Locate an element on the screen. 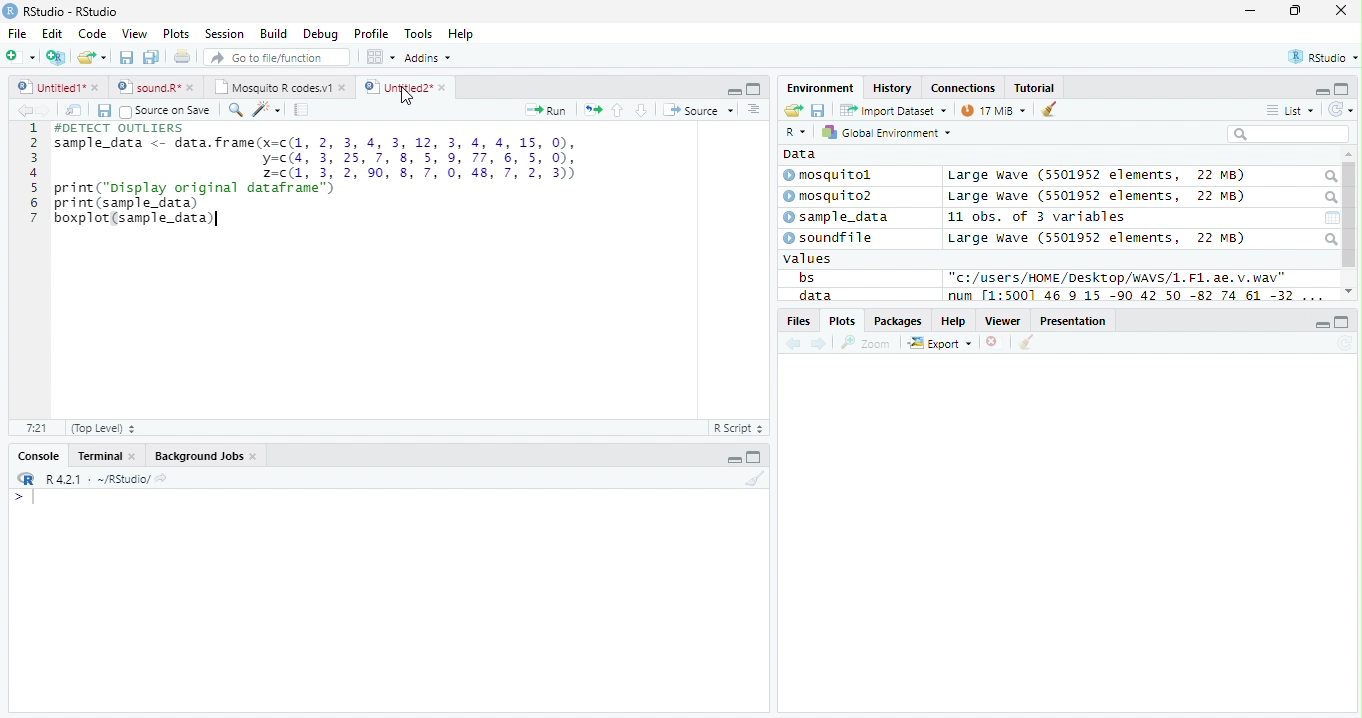 This screenshot has width=1362, height=718. typing cursor is located at coordinates (24, 498).